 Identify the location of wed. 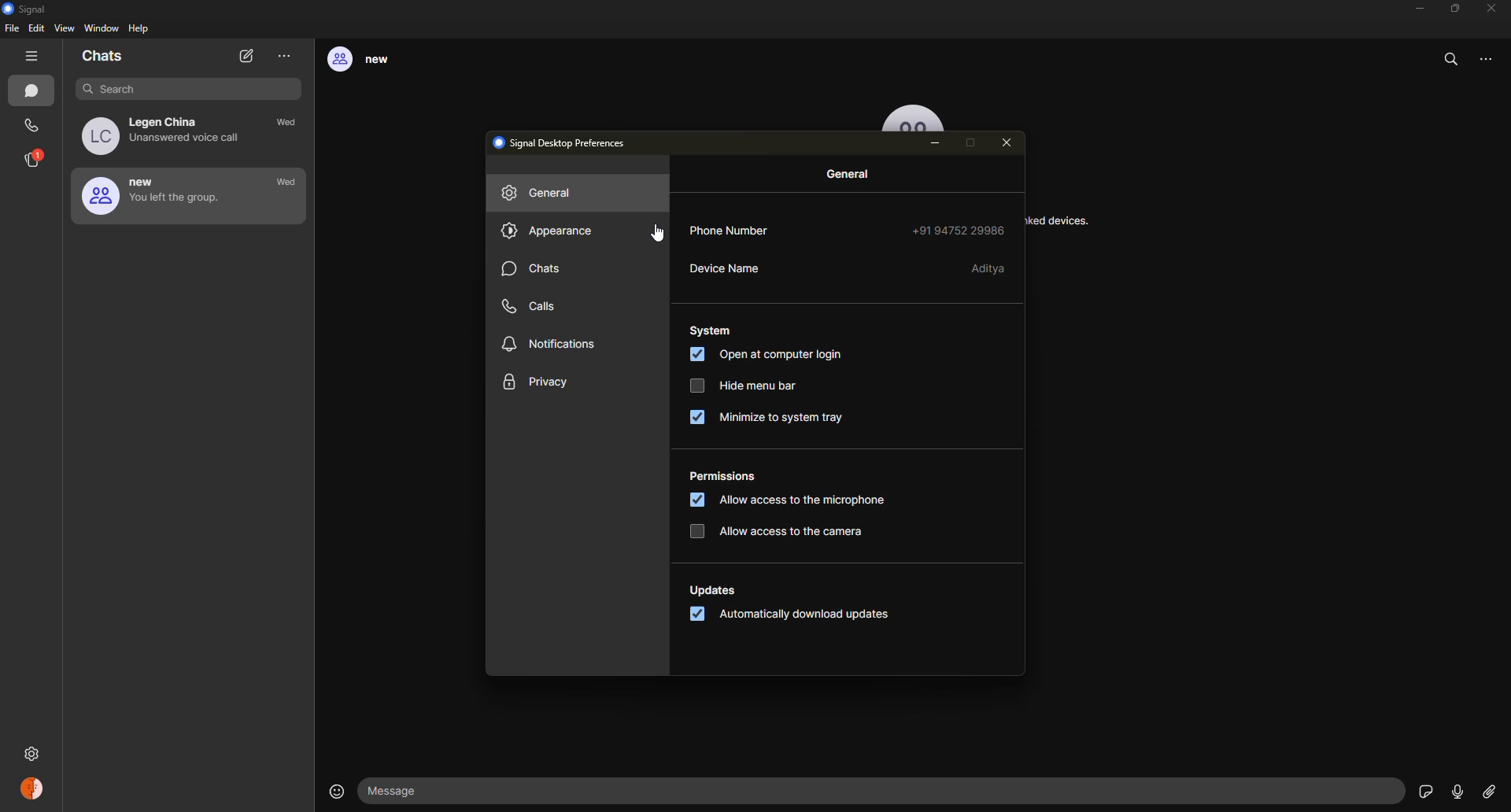
(286, 183).